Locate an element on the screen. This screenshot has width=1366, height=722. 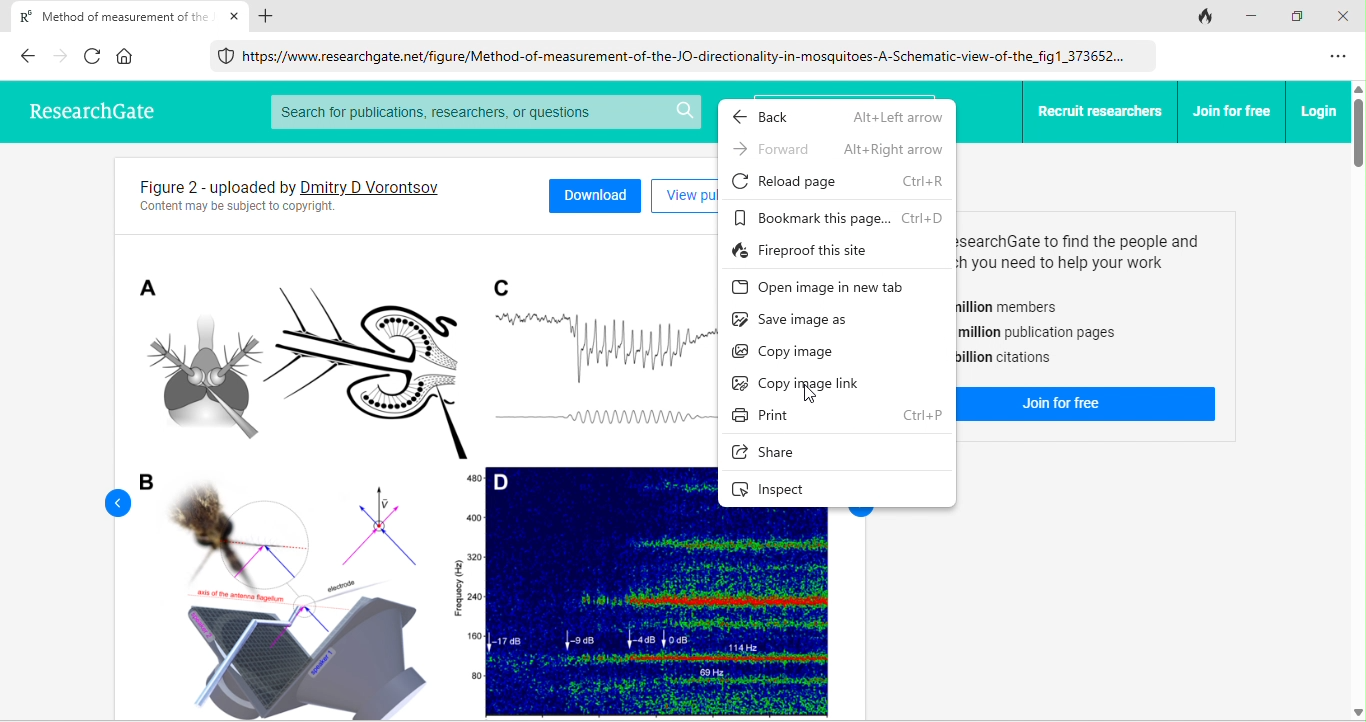
forward is located at coordinates (837, 149).